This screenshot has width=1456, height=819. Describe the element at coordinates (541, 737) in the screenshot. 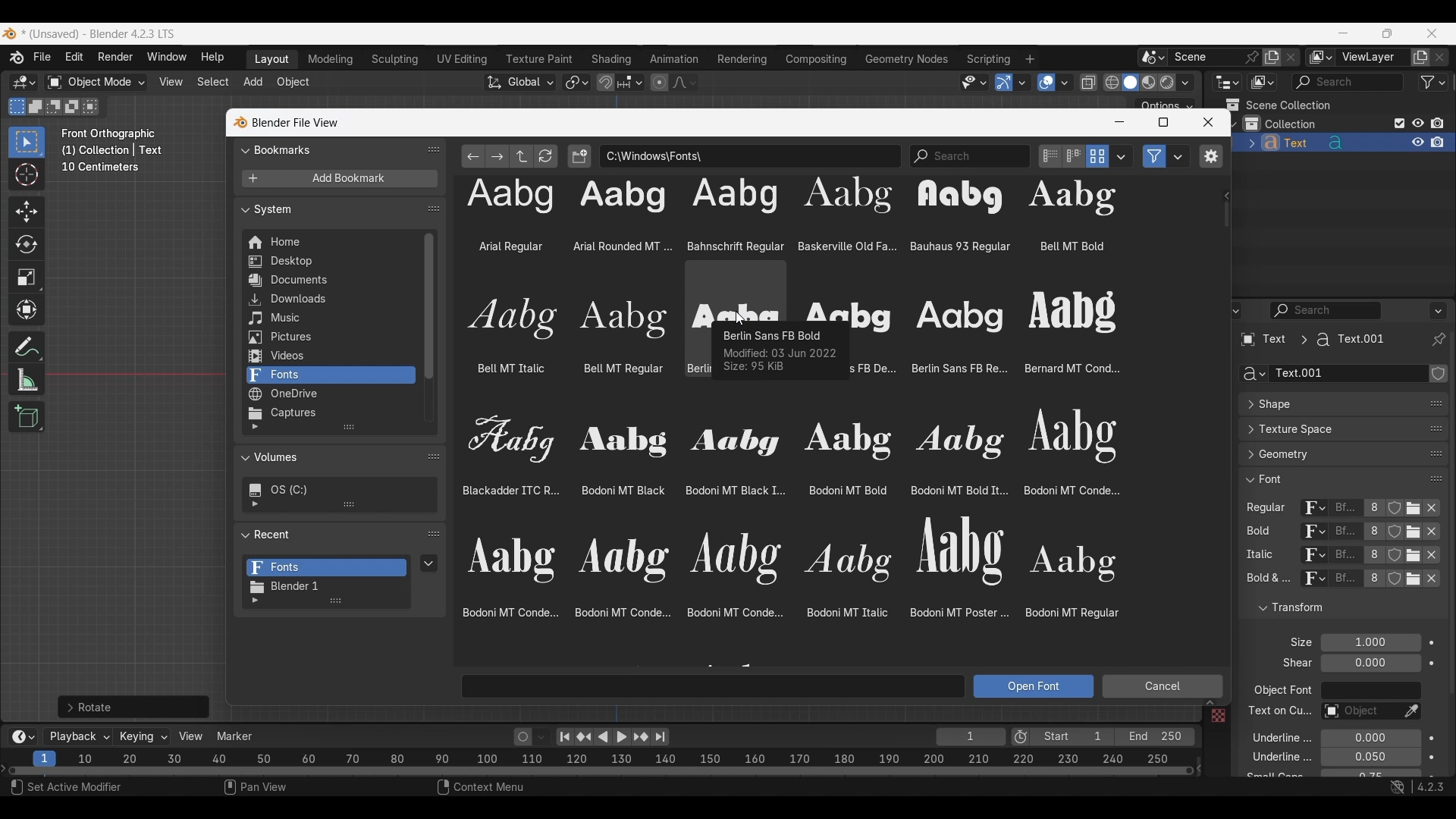

I see `Auto keyframing` at that location.